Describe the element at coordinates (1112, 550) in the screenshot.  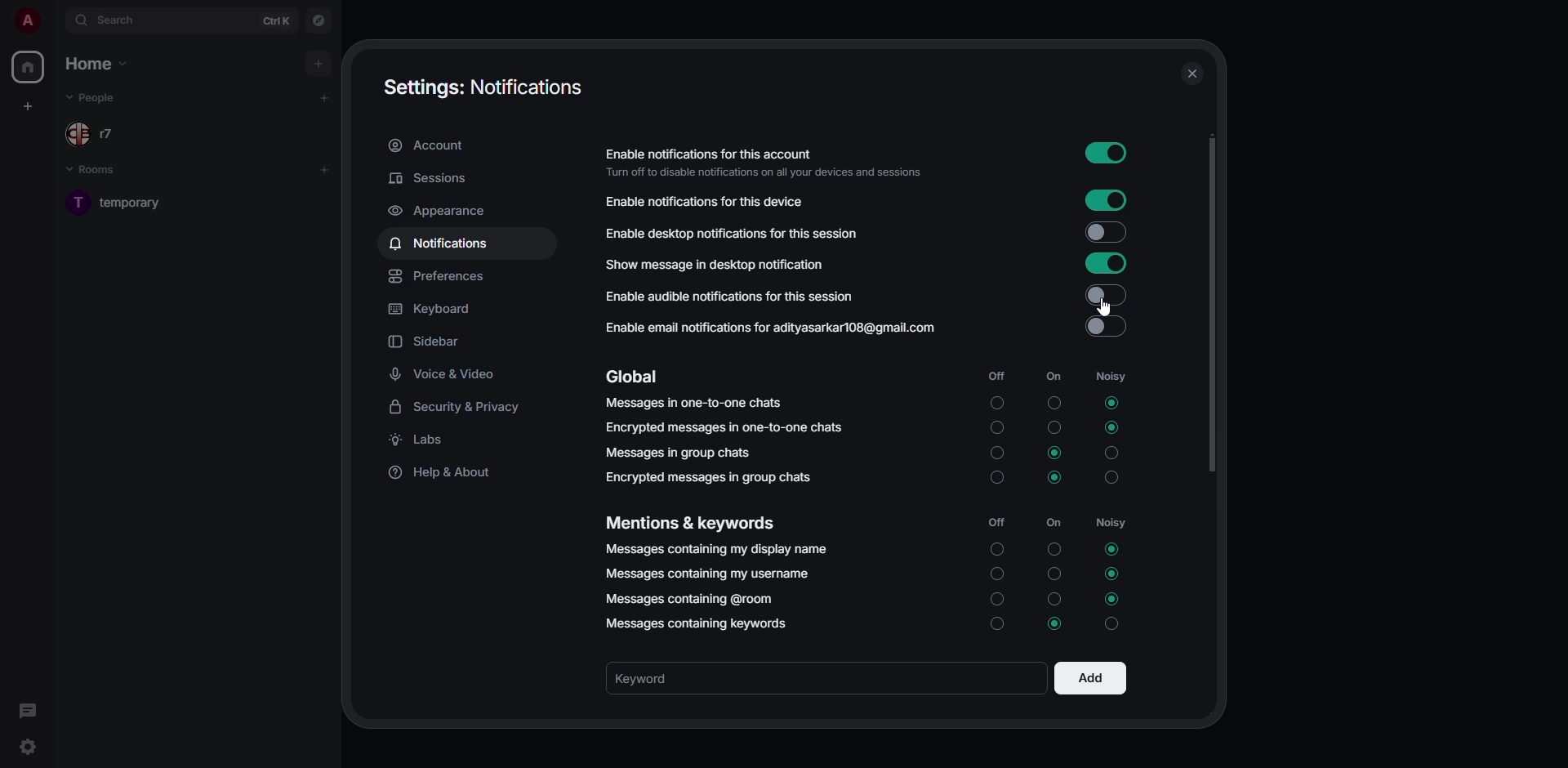
I see `selected` at that location.